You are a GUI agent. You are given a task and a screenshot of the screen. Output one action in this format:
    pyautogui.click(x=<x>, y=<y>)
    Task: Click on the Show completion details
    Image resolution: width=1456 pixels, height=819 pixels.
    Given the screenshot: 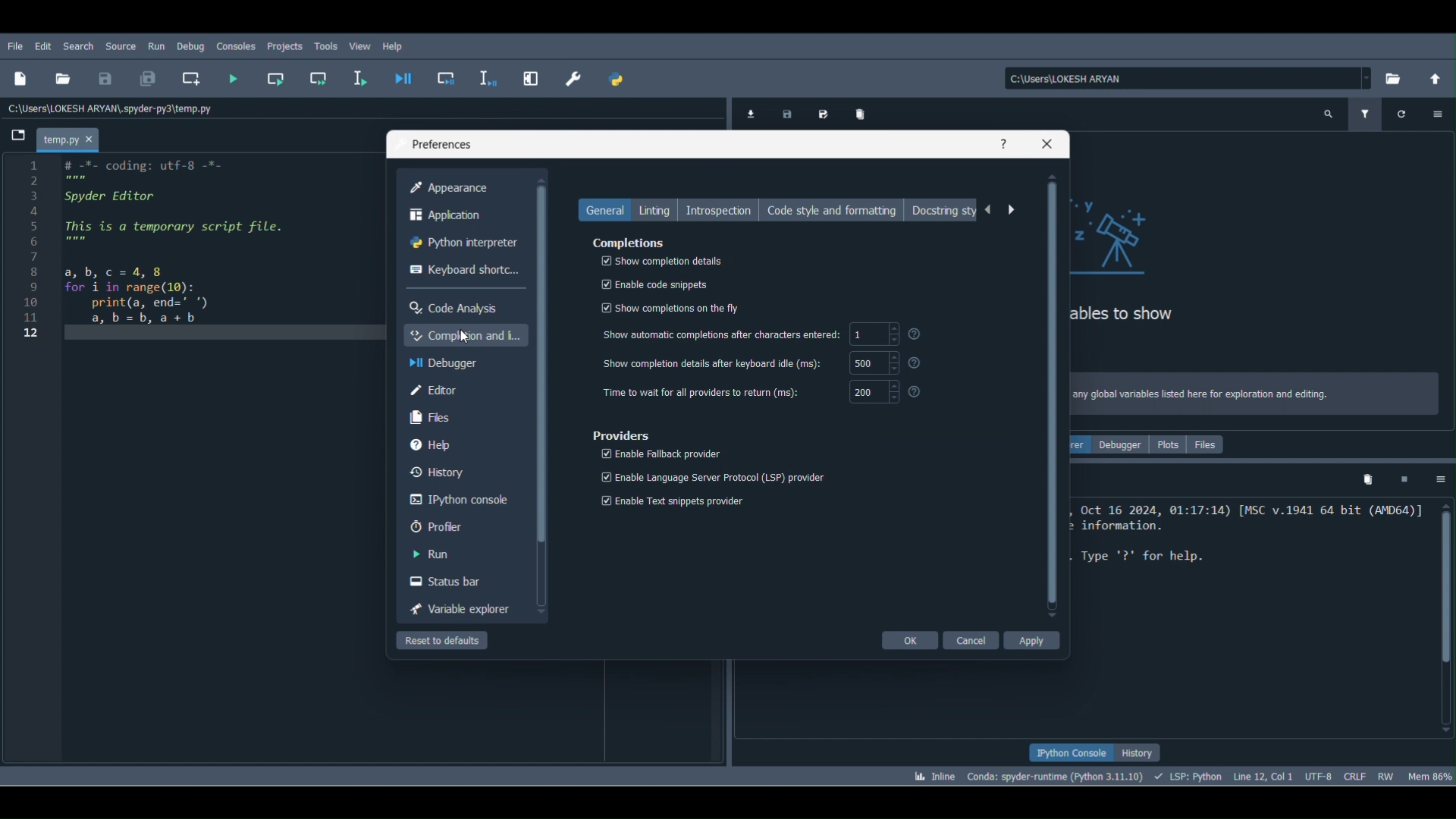 What is the action you would take?
    pyautogui.click(x=772, y=363)
    